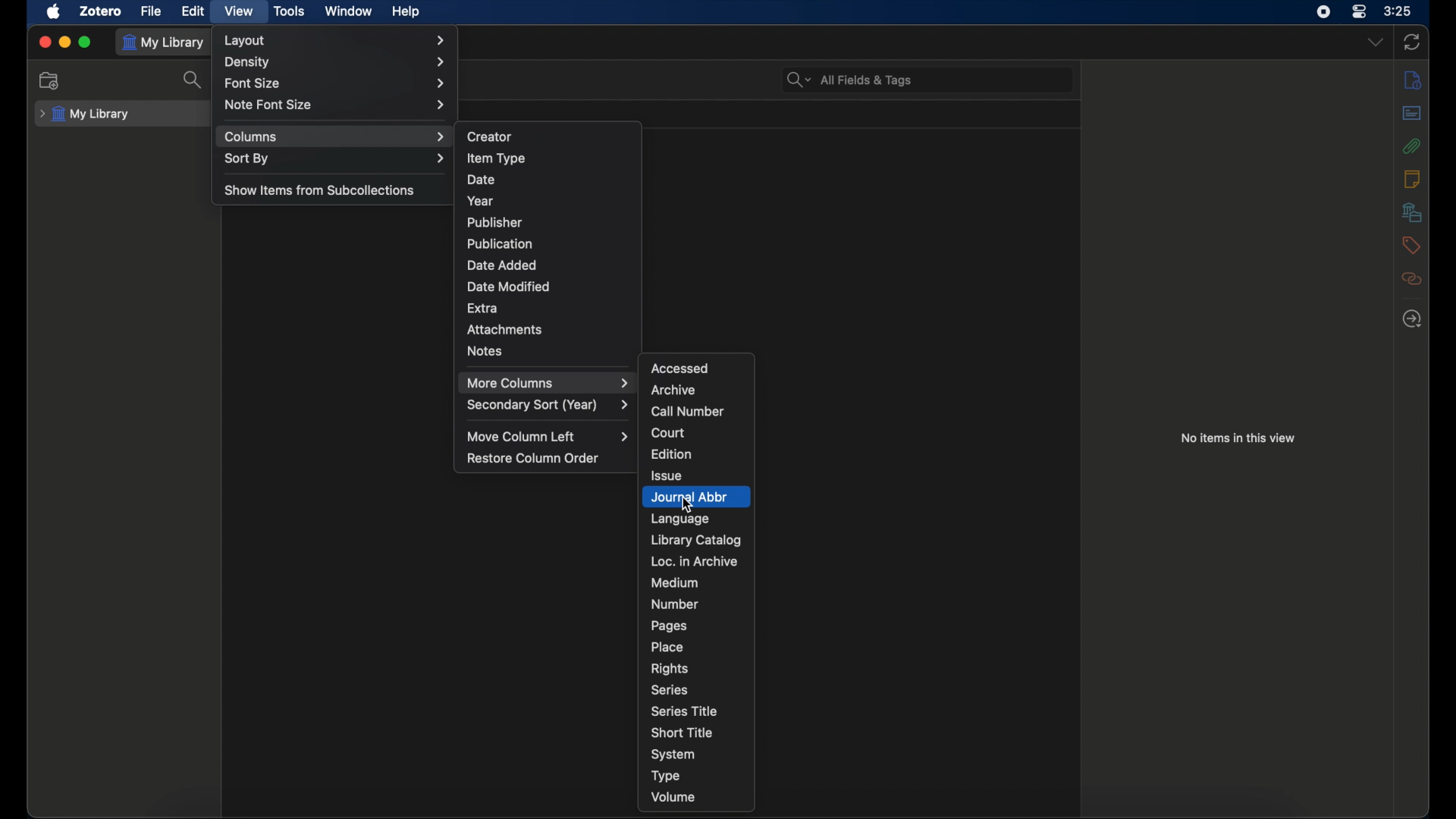  Describe the element at coordinates (673, 796) in the screenshot. I see `volume` at that location.